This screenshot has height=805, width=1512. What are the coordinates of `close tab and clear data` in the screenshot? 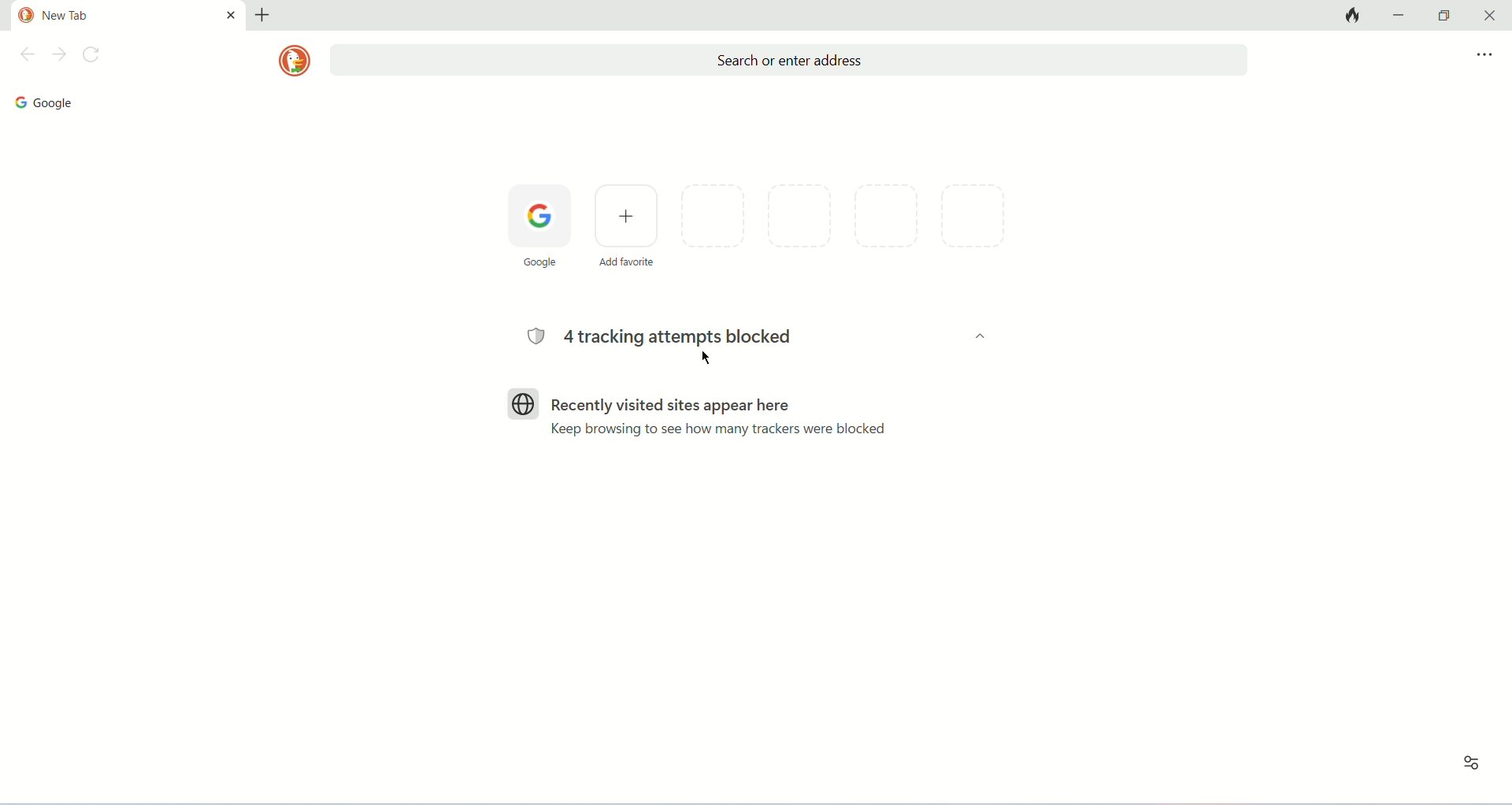 It's located at (1351, 15).